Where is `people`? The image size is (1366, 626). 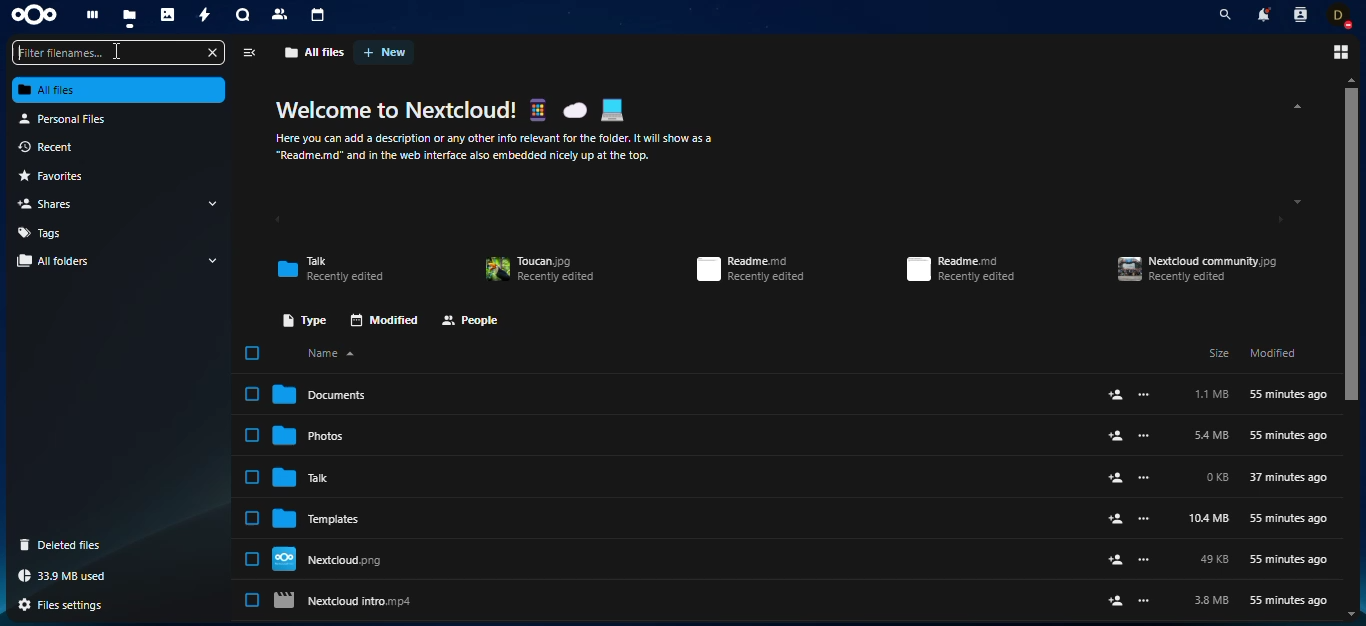
people is located at coordinates (471, 322).